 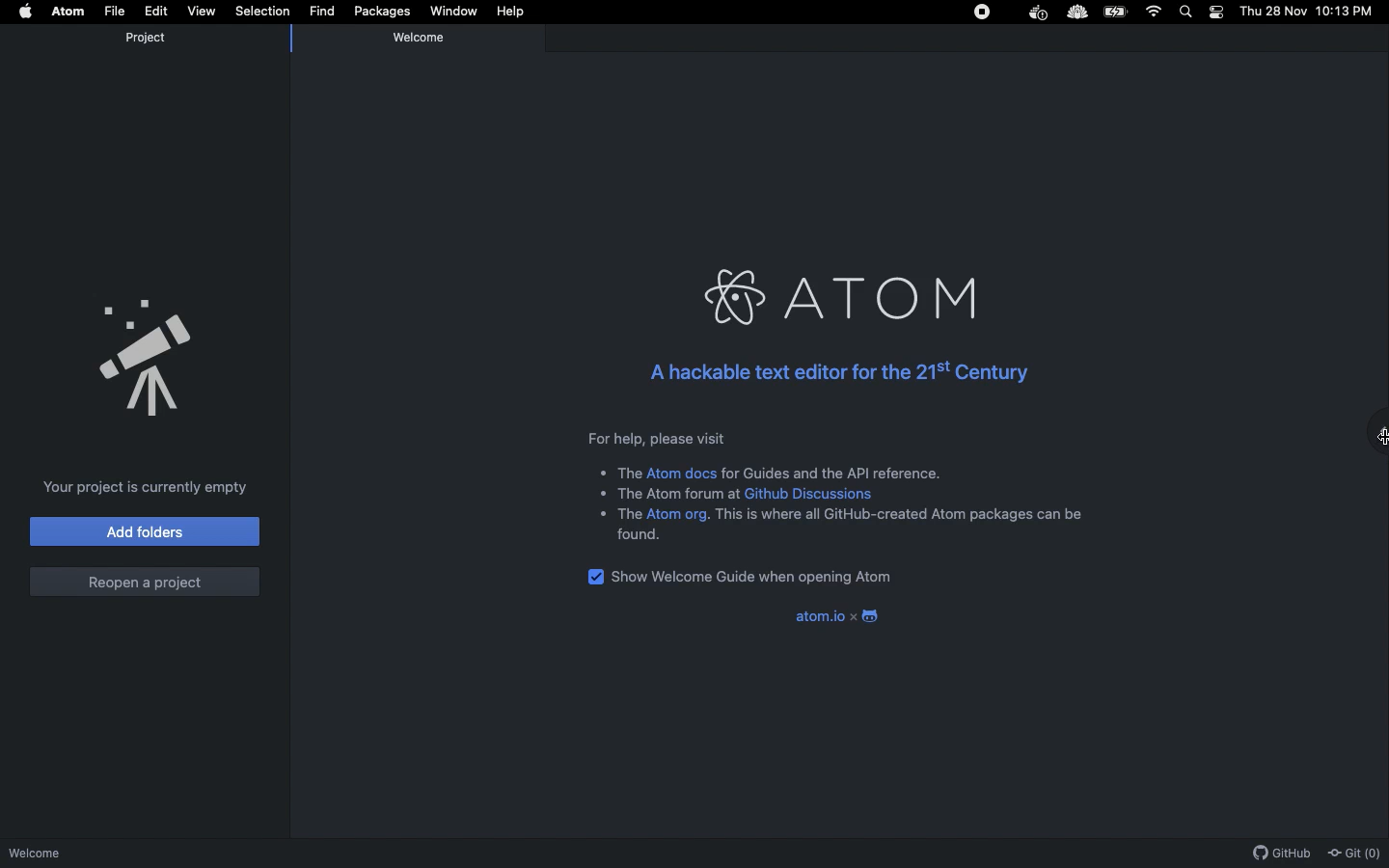 What do you see at coordinates (1040, 14) in the screenshot?
I see `Docker Extension` at bounding box center [1040, 14].